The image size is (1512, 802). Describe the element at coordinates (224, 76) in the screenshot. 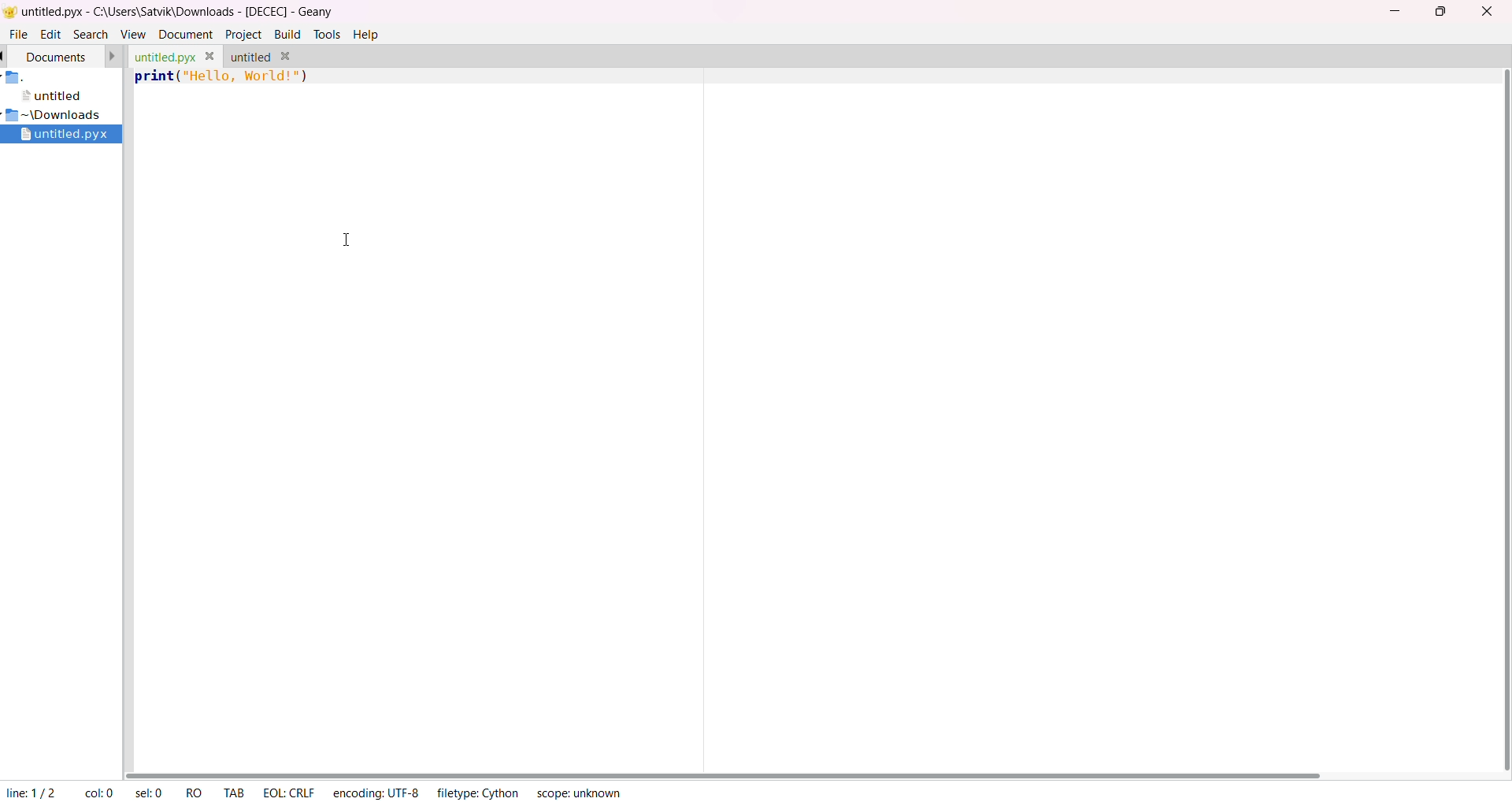

I see `print ("Hello World")` at that location.